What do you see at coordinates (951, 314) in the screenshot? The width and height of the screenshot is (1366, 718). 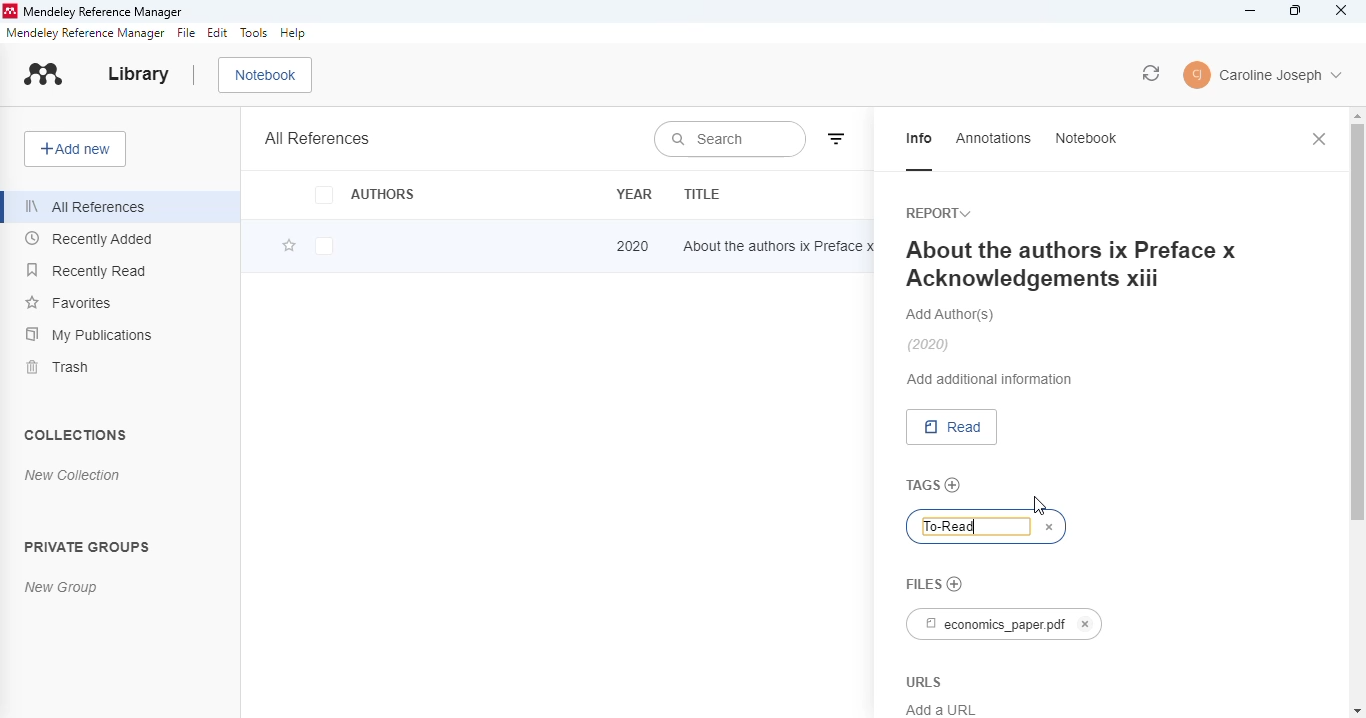 I see `add authors` at bounding box center [951, 314].